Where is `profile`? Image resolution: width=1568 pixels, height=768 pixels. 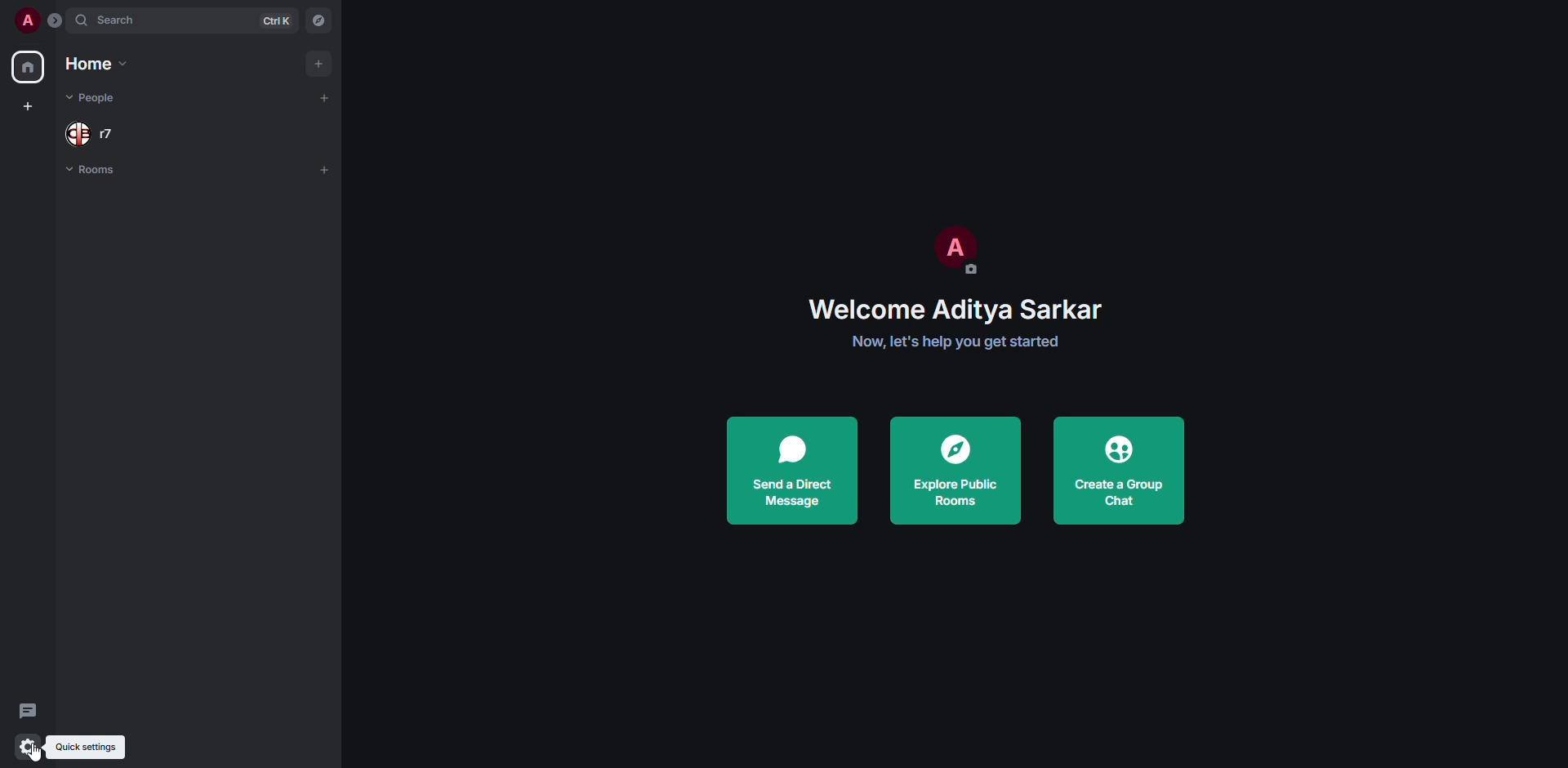 profile is located at coordinates (27, 20).